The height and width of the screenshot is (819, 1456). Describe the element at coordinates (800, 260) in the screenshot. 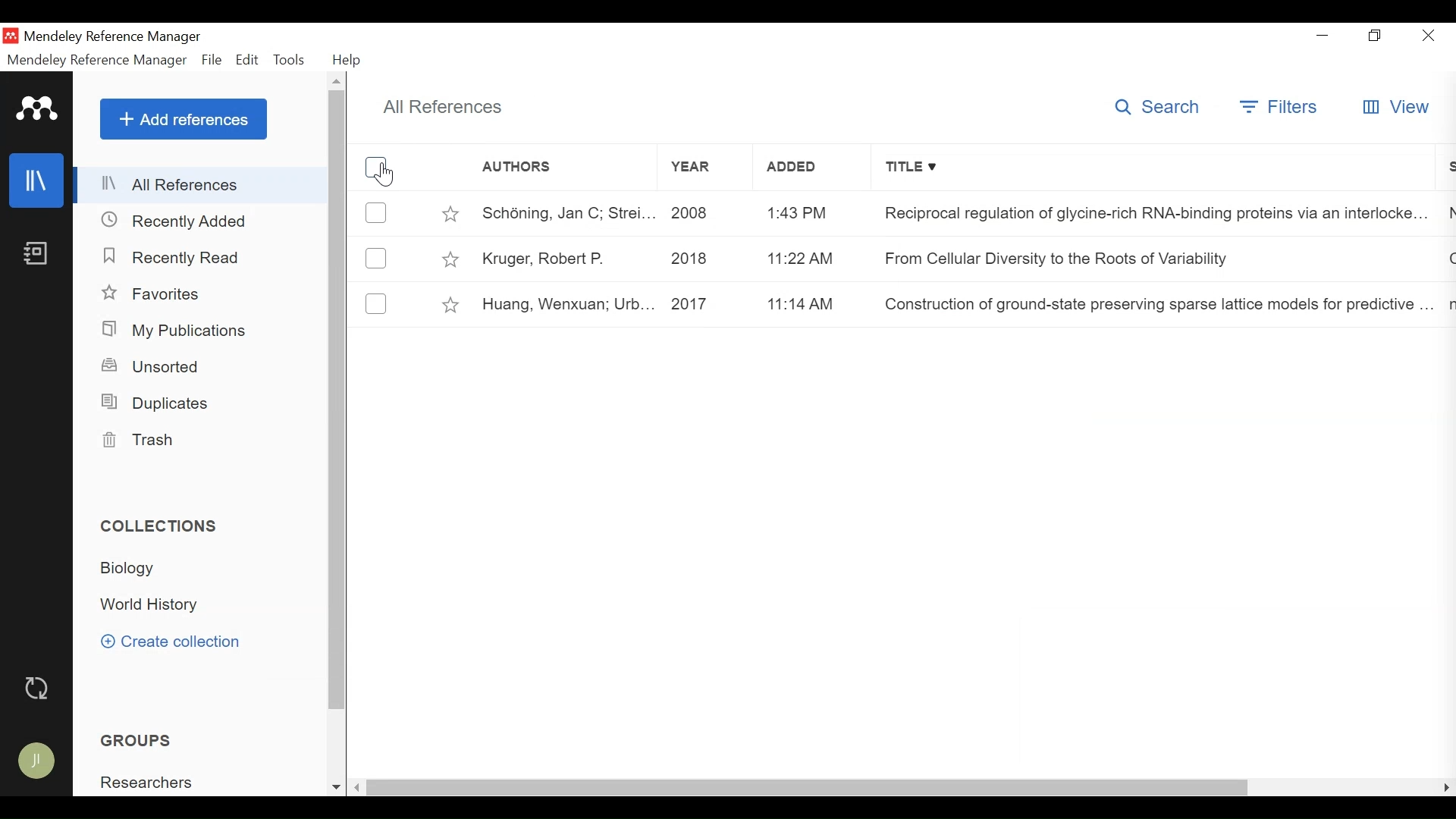

I see `11:22 AM` at that location.